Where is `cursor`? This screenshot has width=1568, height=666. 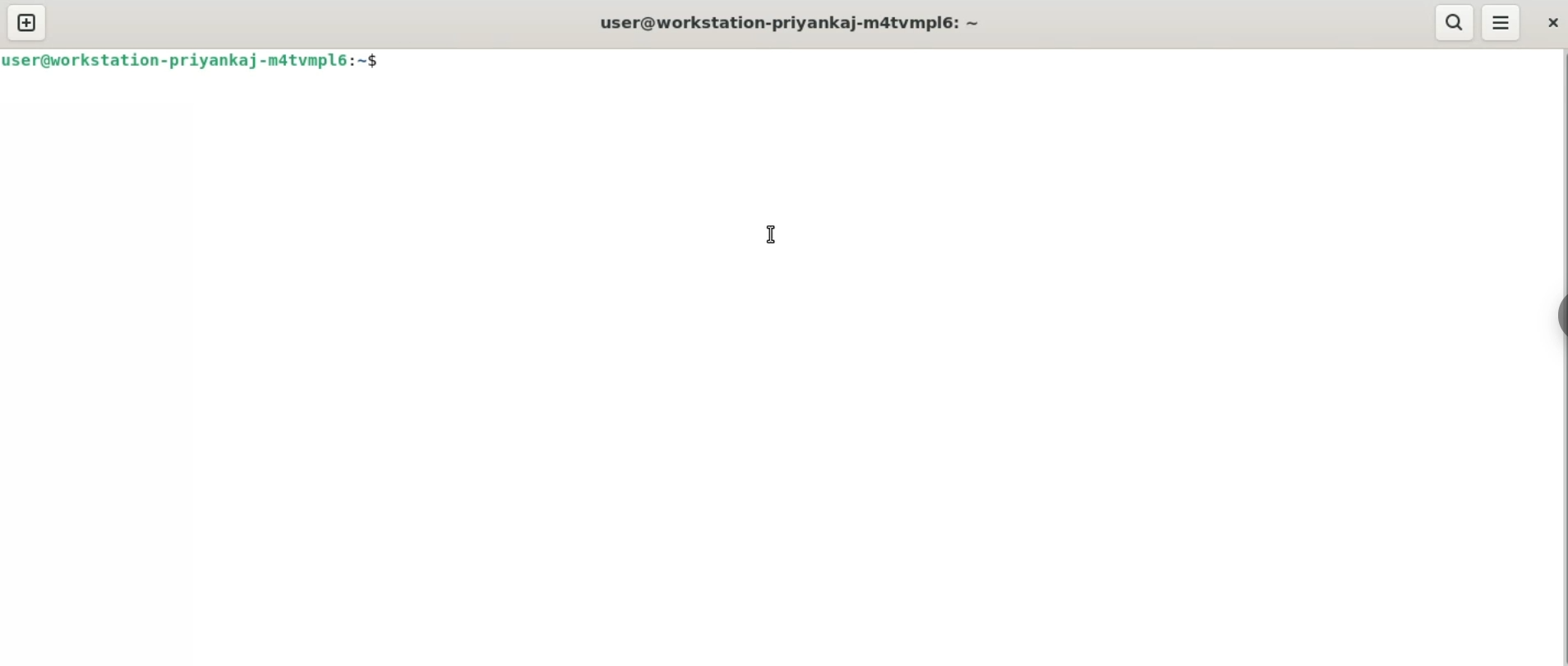 cursor is located at coordinates (771, 235).